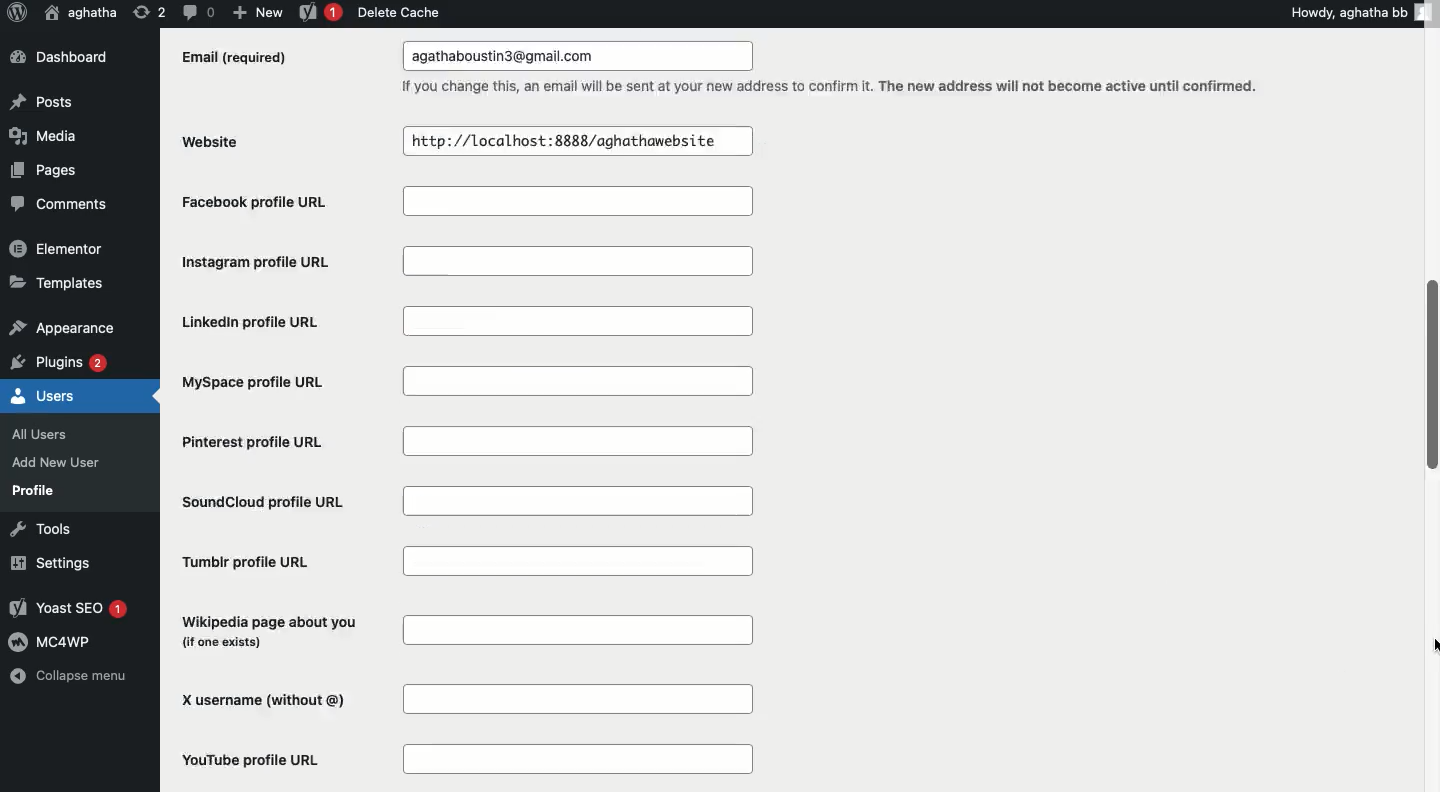  What do you see at coordinates (197, 11) in the screenshot?
I see `Comment` at bounding box center [197, 11].